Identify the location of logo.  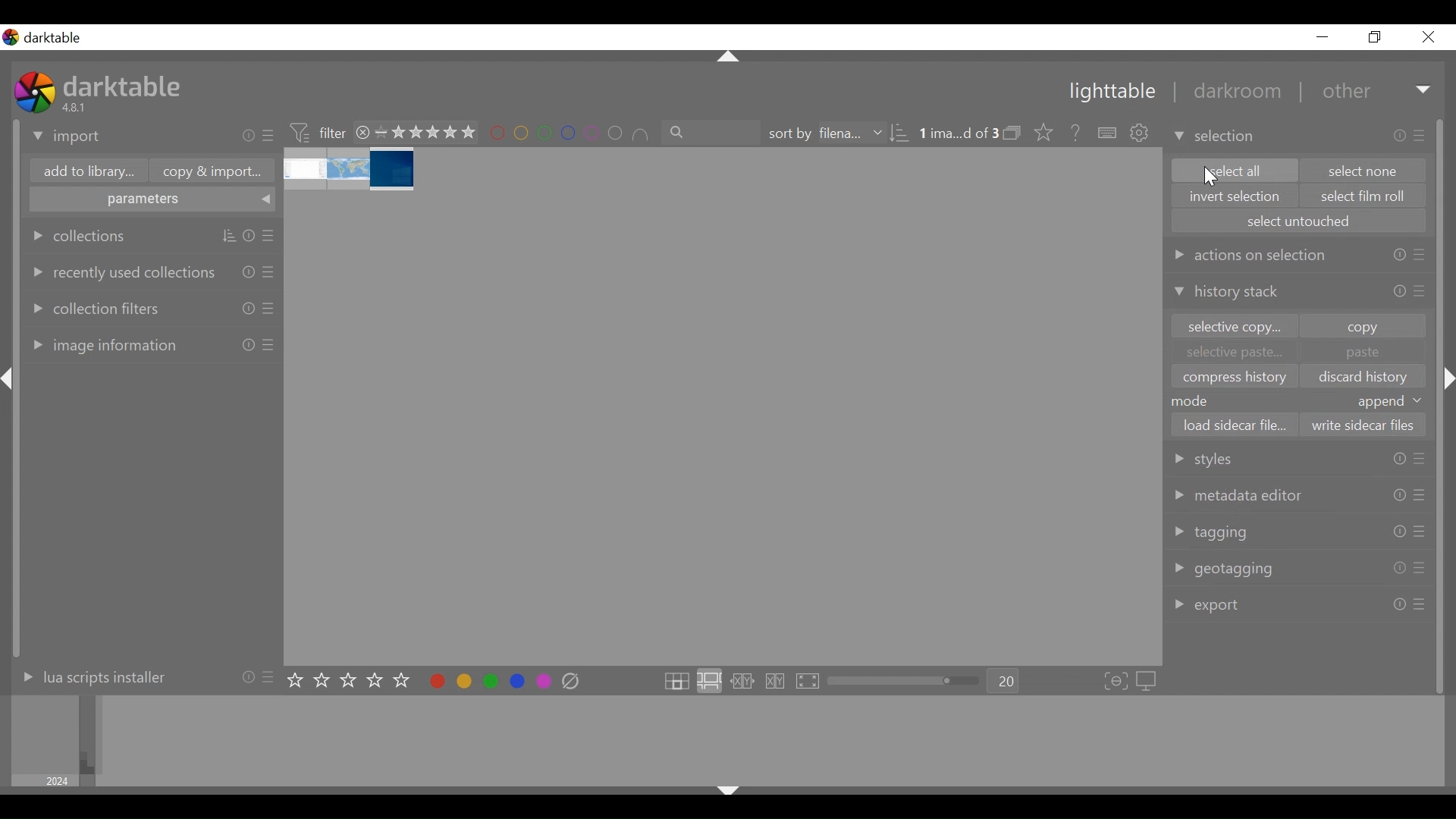
(35, 92).